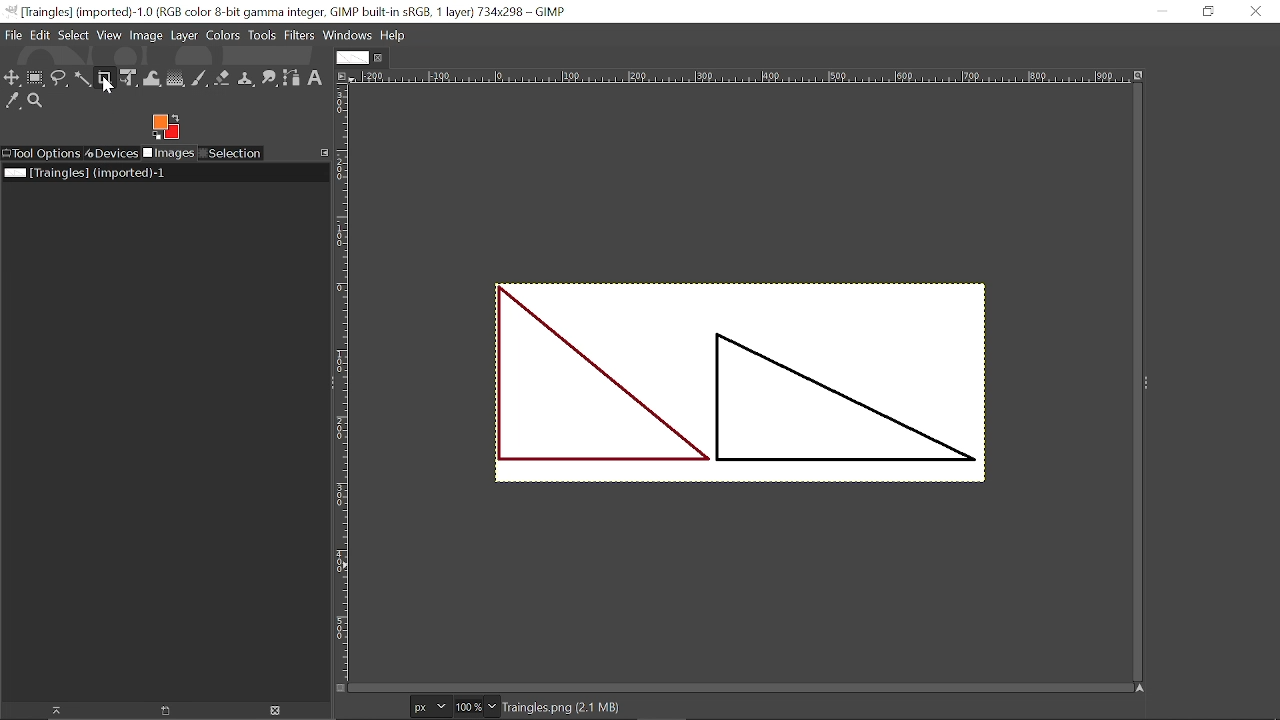 This screenshot has height=720, width=1280. I want to click on Edit, so click(42, 36).